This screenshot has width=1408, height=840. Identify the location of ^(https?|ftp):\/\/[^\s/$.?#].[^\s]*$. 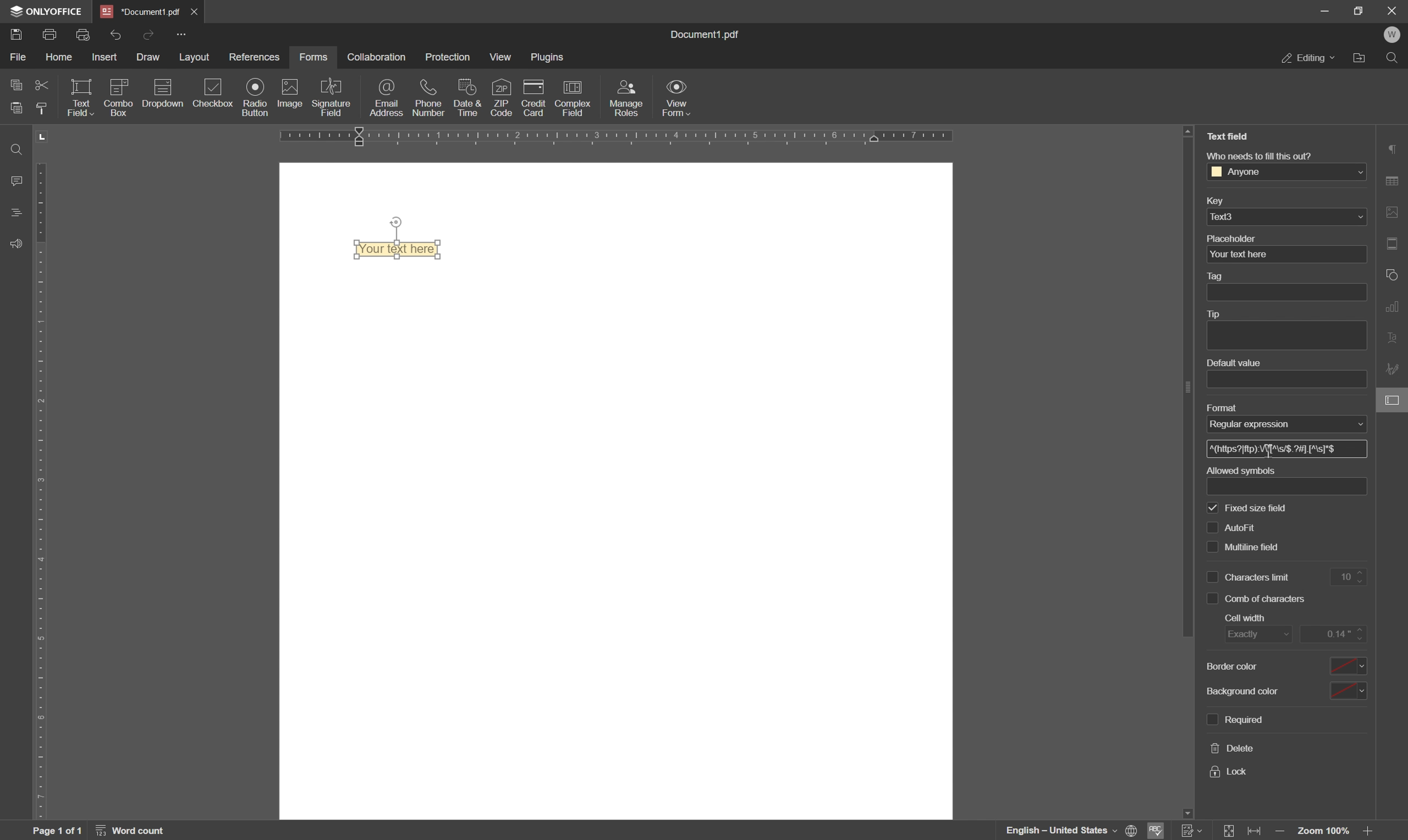
(1277, 449).